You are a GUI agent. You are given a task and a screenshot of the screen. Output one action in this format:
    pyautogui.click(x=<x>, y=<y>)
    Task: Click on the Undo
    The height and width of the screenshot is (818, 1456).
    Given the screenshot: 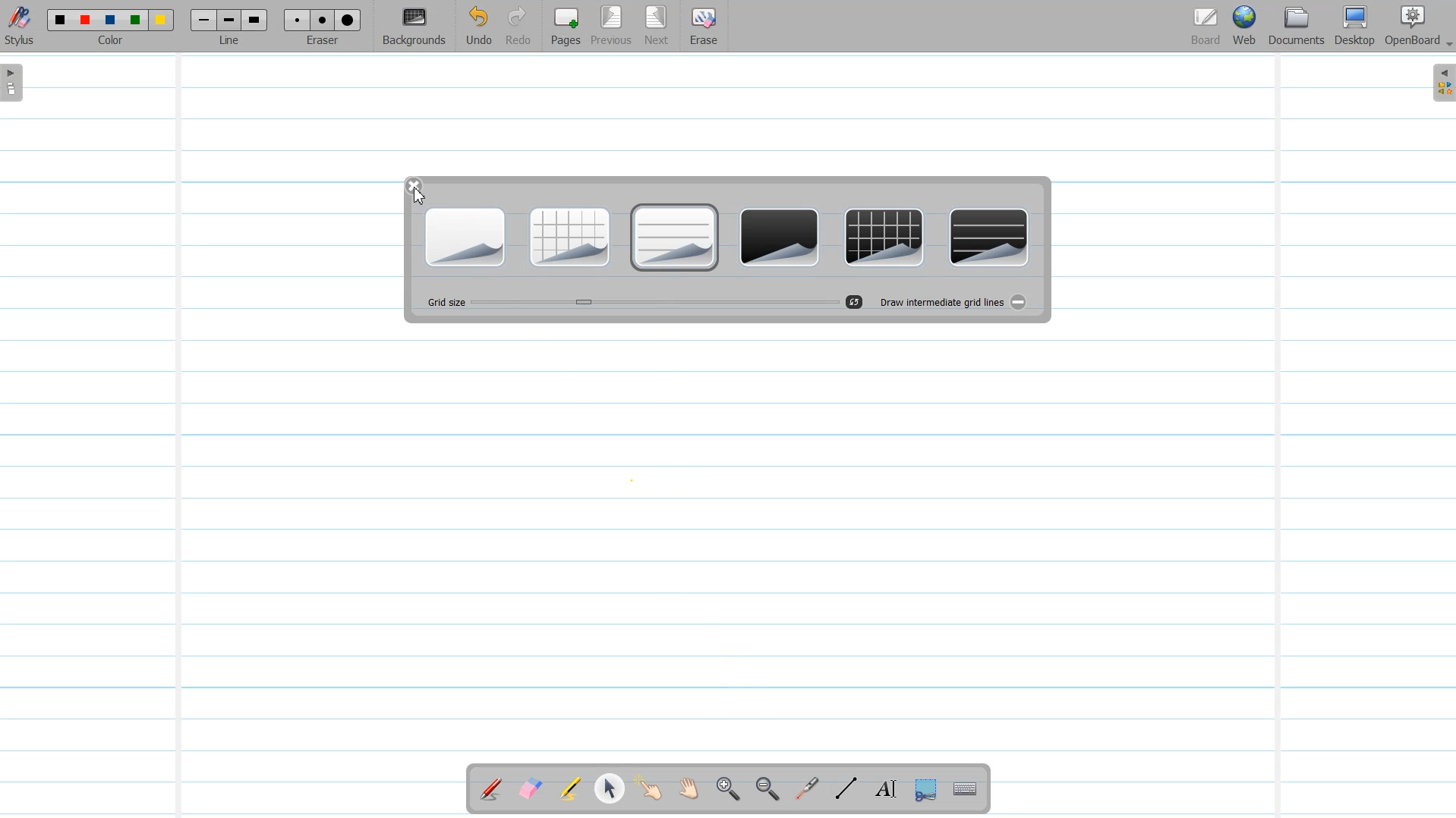 What is the action you would take?
    pyautogui.click(x=478, y=27)
    